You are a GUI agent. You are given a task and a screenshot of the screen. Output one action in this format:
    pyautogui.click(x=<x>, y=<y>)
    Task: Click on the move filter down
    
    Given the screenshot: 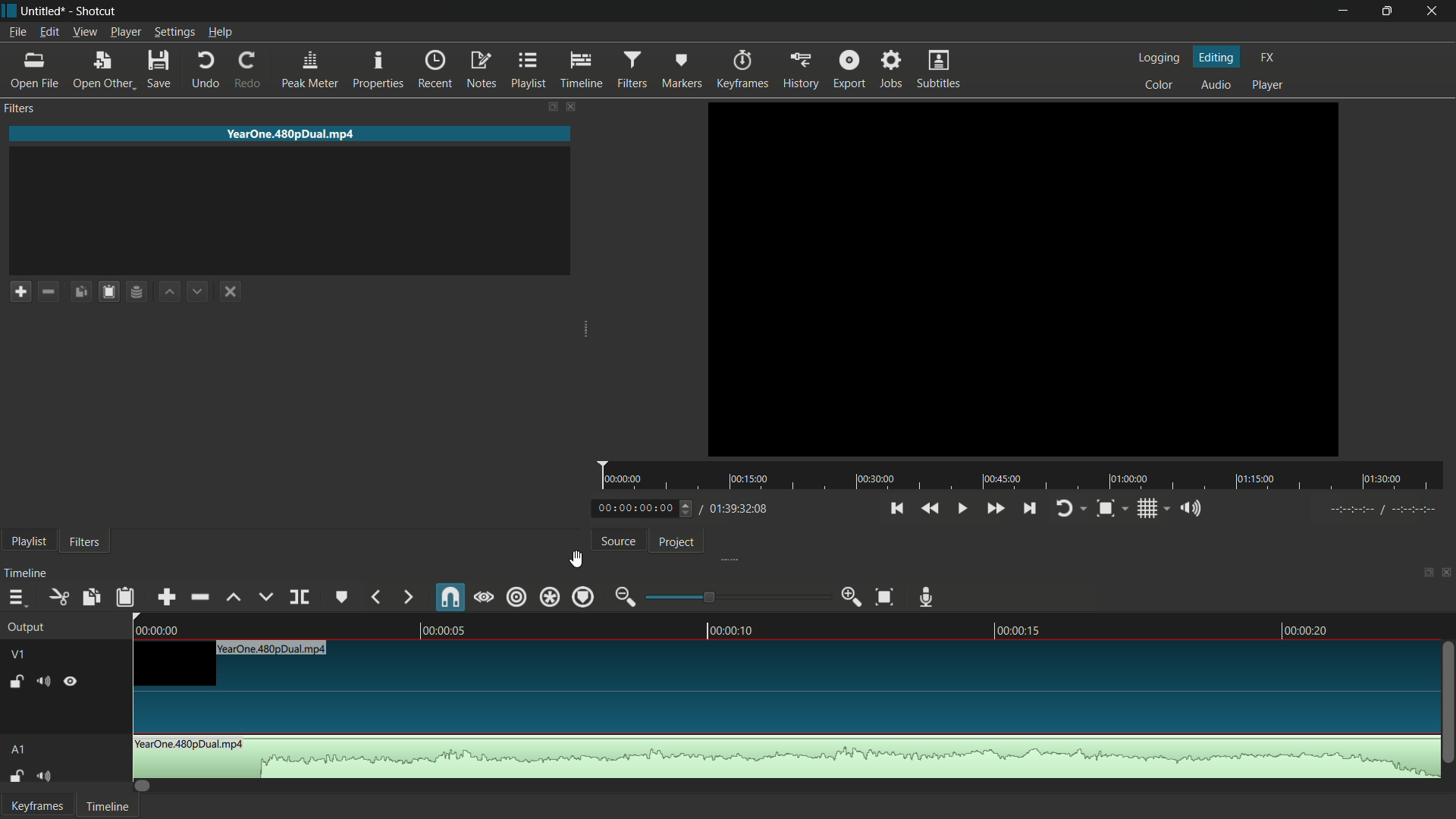 What is the action you would take?
    pyautogui.click(x=199, y=290)
    